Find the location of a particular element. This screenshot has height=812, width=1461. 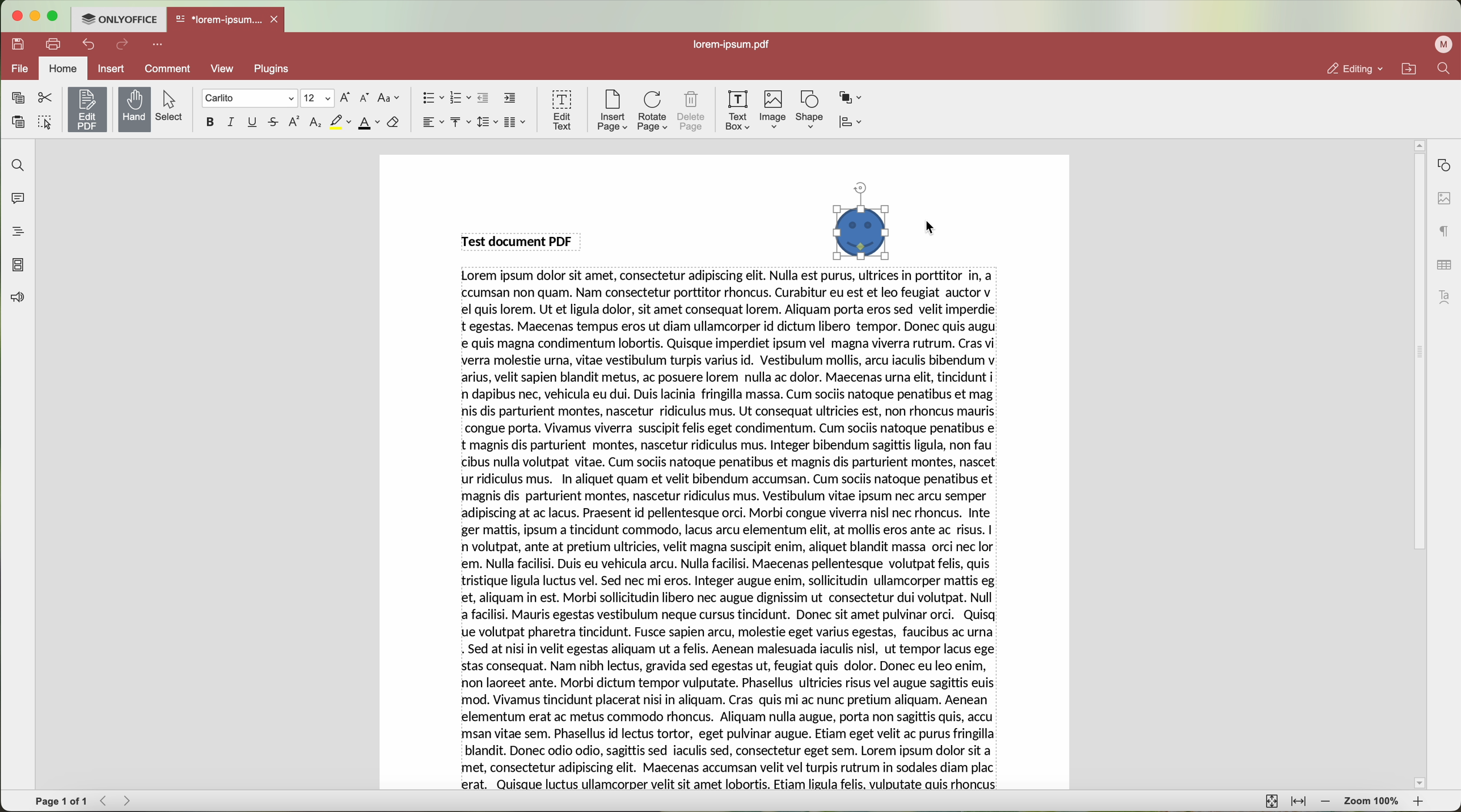

copy is located at coordinates (15, 97).